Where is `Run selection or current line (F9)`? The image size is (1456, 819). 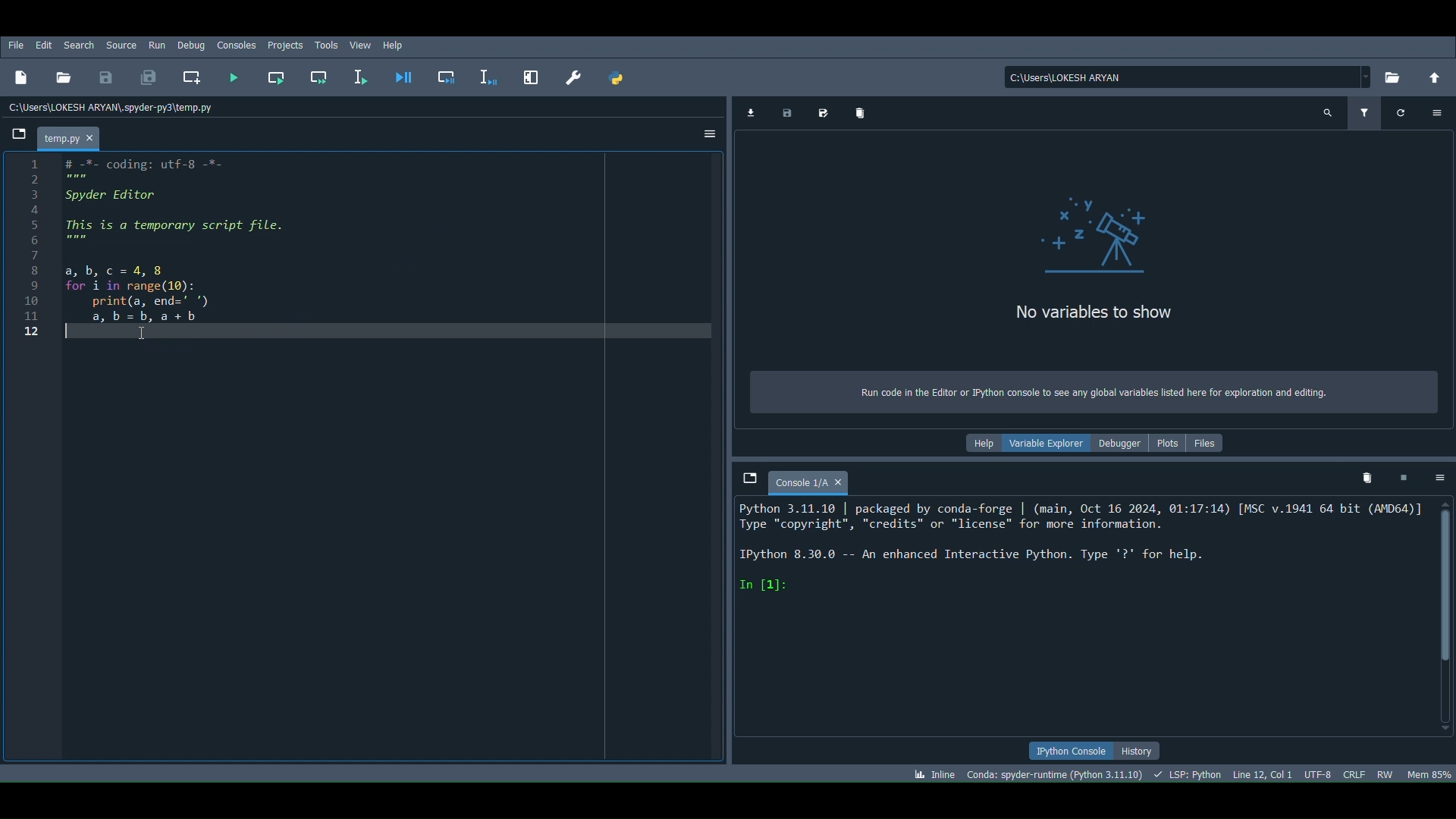 Run selection or current line (F9) is located at coordinates (362, 74).